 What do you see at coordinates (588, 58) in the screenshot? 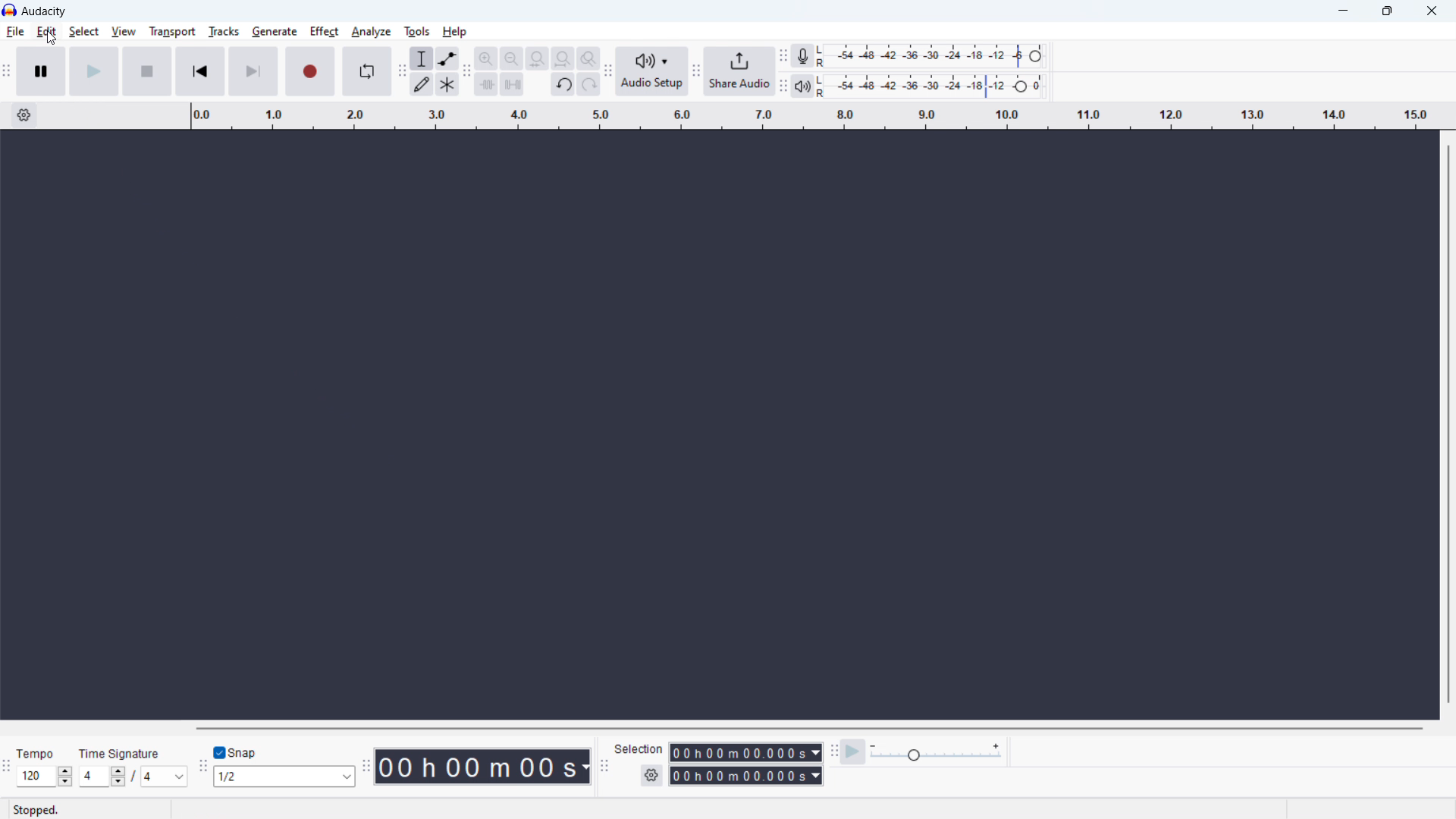
I see `toggle zoom` at bounding box center [588, 58].